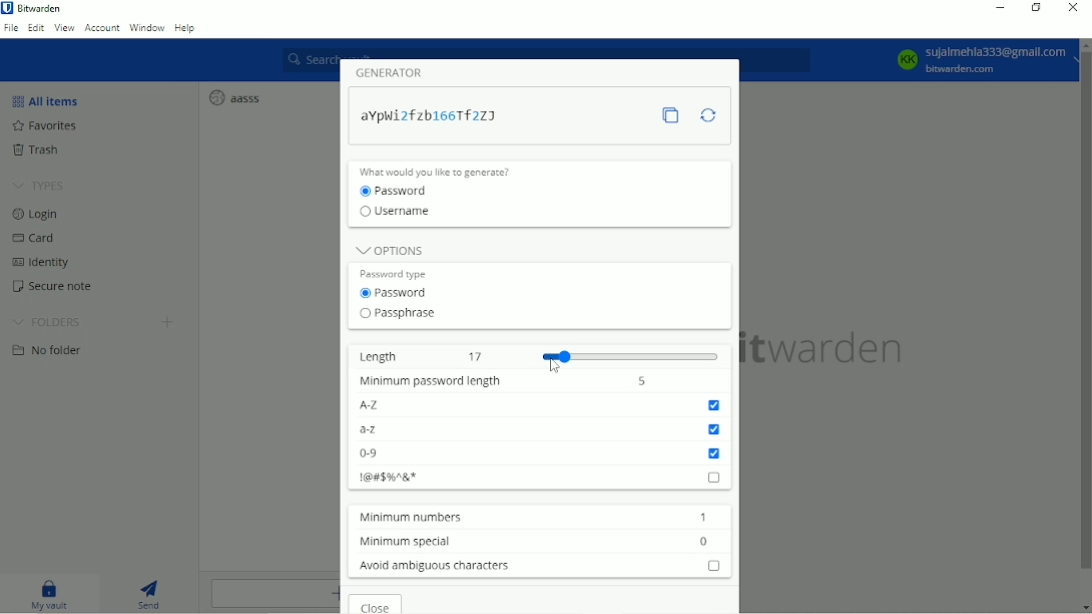 This screenshot has height=614, width=1092. Describe the element at coordinates (705, 541) in the screenshot. I see `0` at that location.